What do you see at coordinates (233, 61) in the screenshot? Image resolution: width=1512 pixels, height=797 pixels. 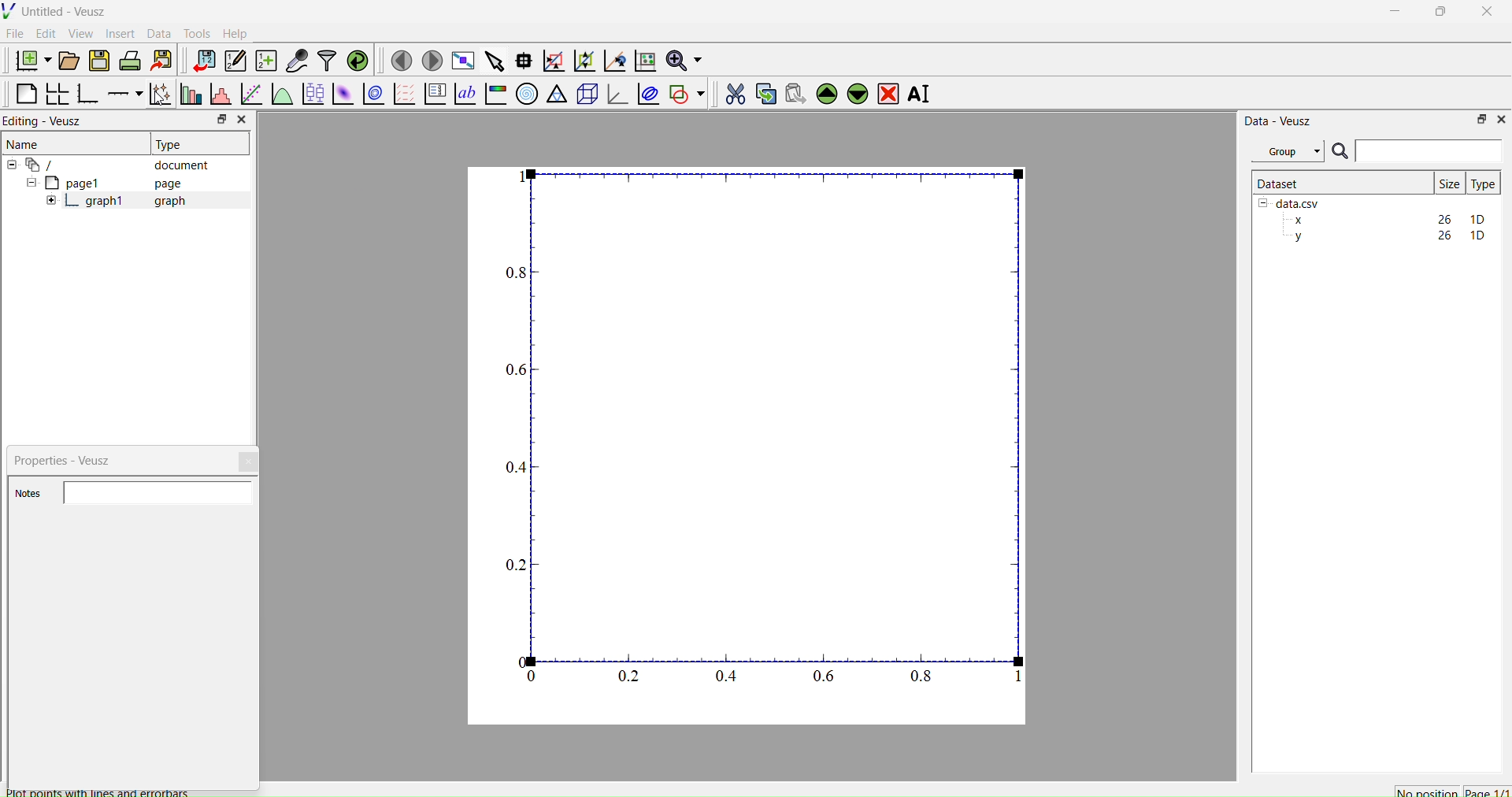 I see `Edit or enter new dataset` at bounding box center [233, 61].